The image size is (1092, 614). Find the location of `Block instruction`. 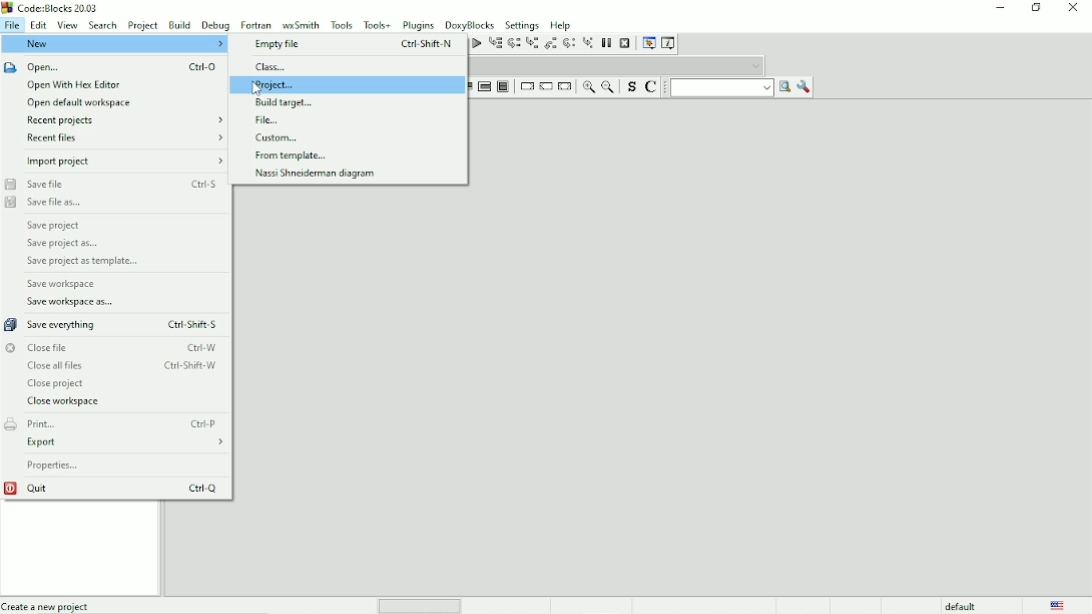

Block instruction is located at coordinates (503, 87).